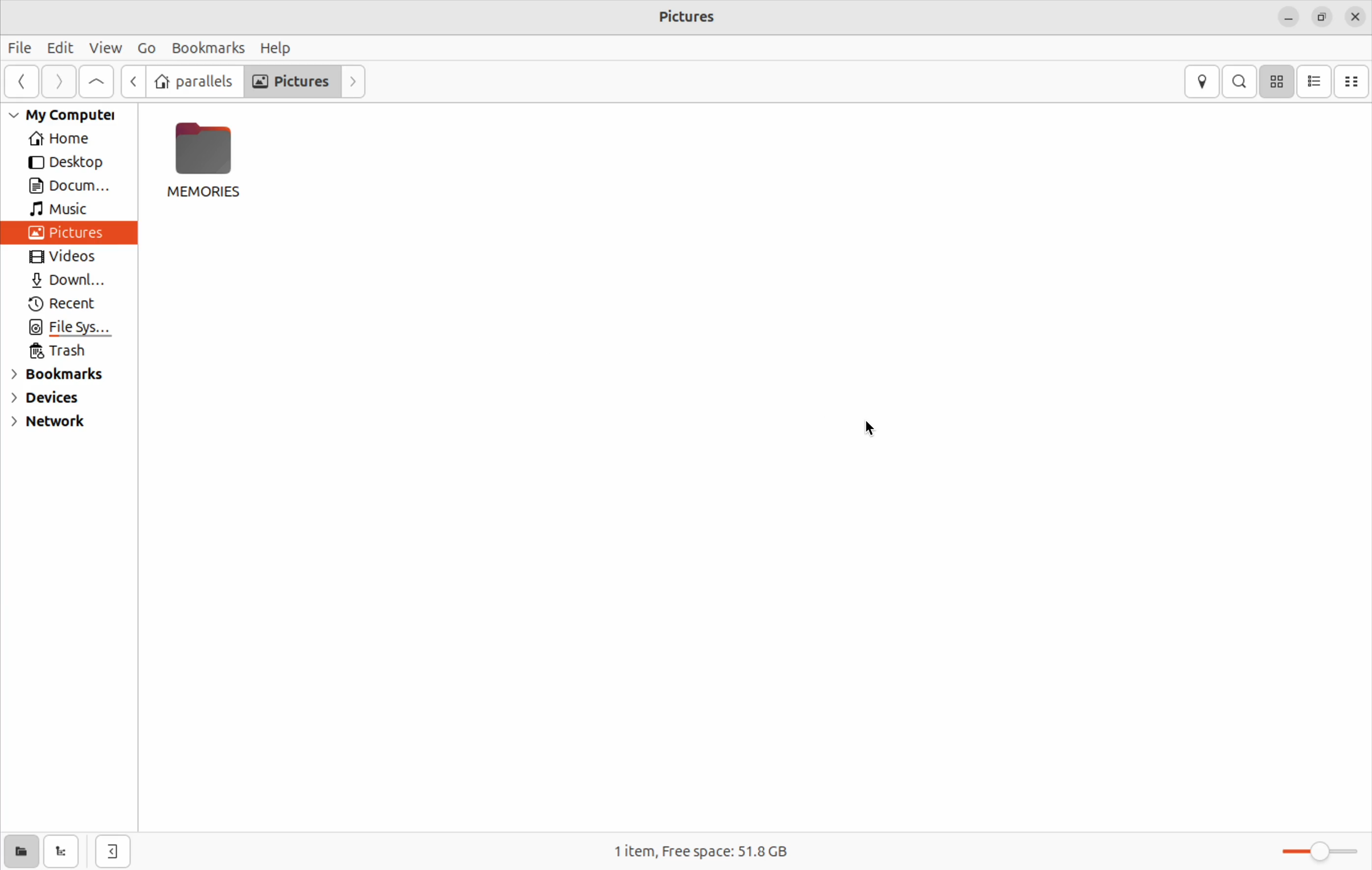  I want to click on Music, so click(66, 210).